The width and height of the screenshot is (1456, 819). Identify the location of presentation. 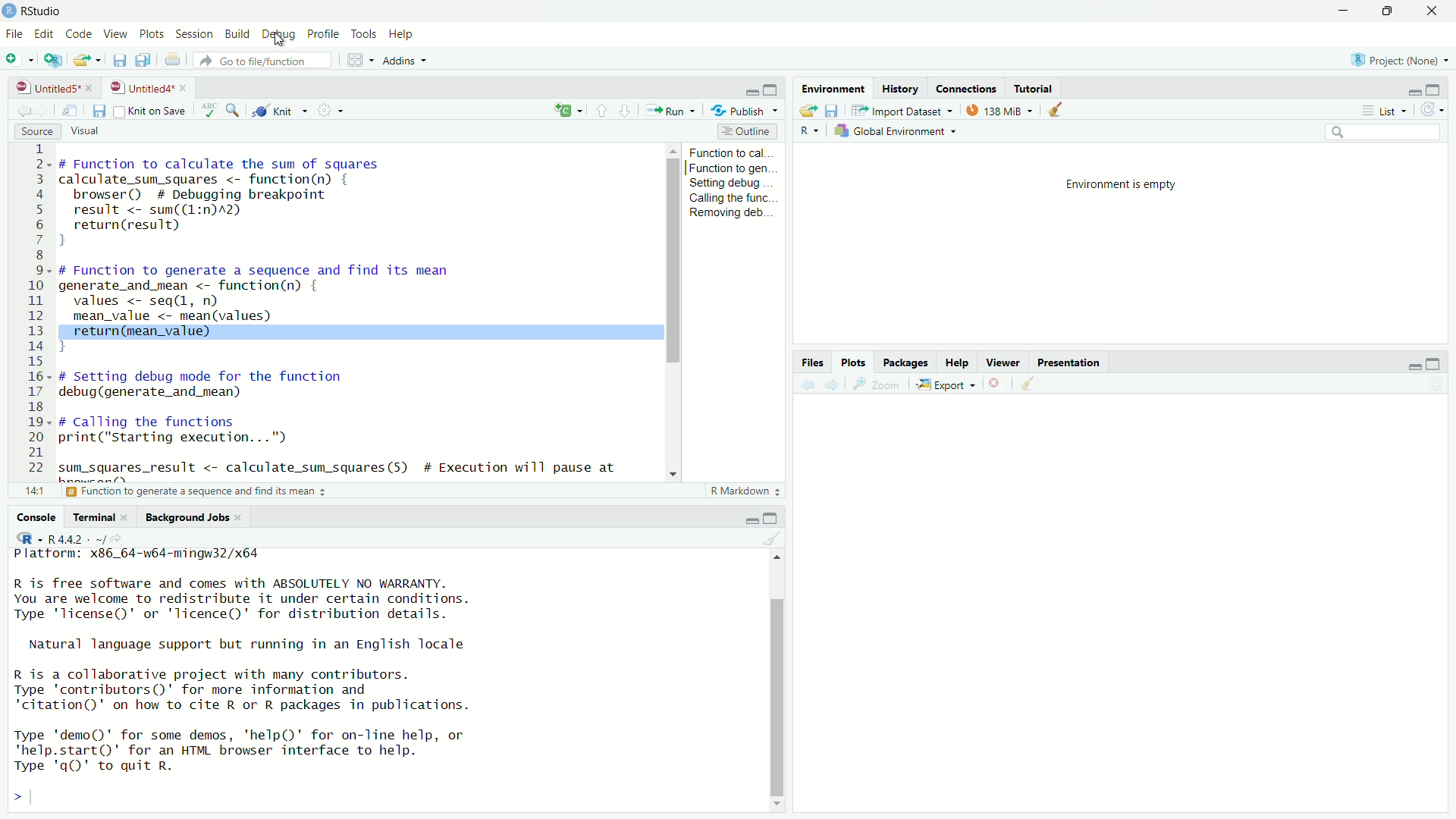
(1072, 359).